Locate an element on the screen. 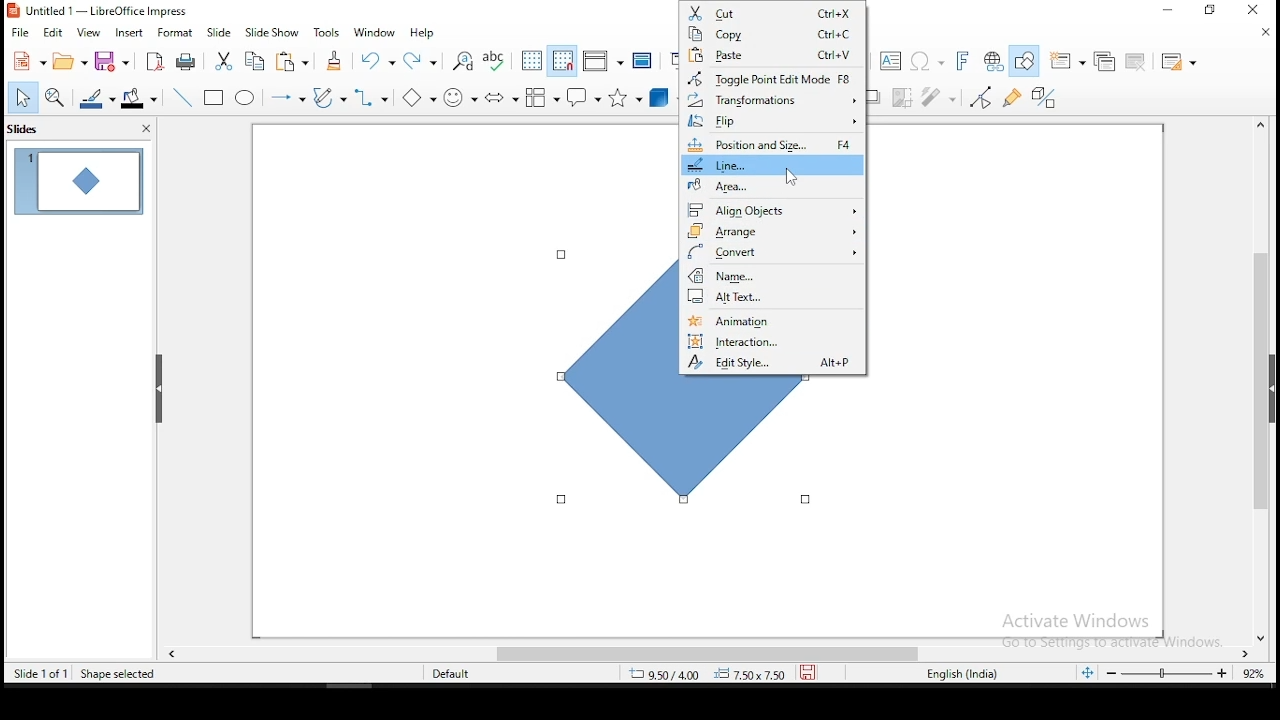 The width and height of the screenshot is (1280, 720). save is located at coordinates (111, 61).